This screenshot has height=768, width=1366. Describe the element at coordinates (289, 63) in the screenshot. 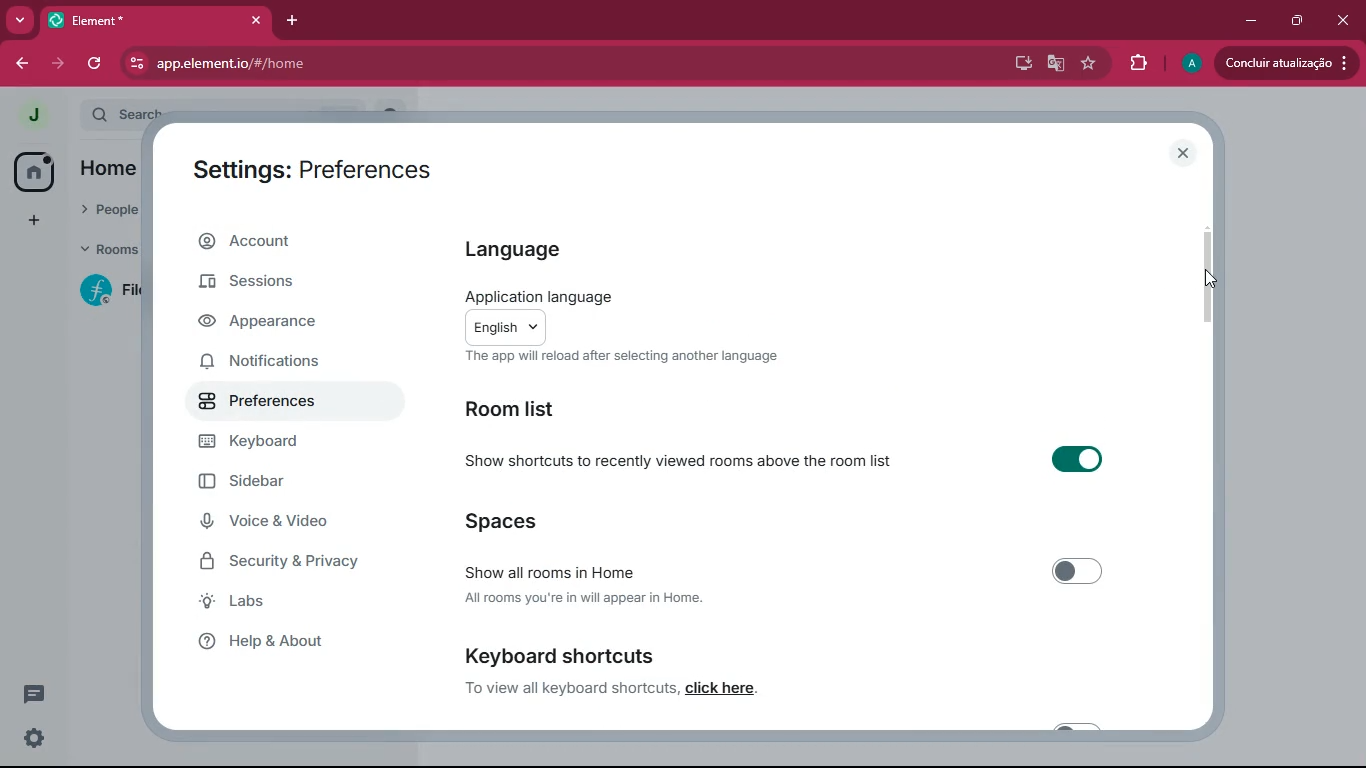

I see `app.element.io/#/home` at that location.